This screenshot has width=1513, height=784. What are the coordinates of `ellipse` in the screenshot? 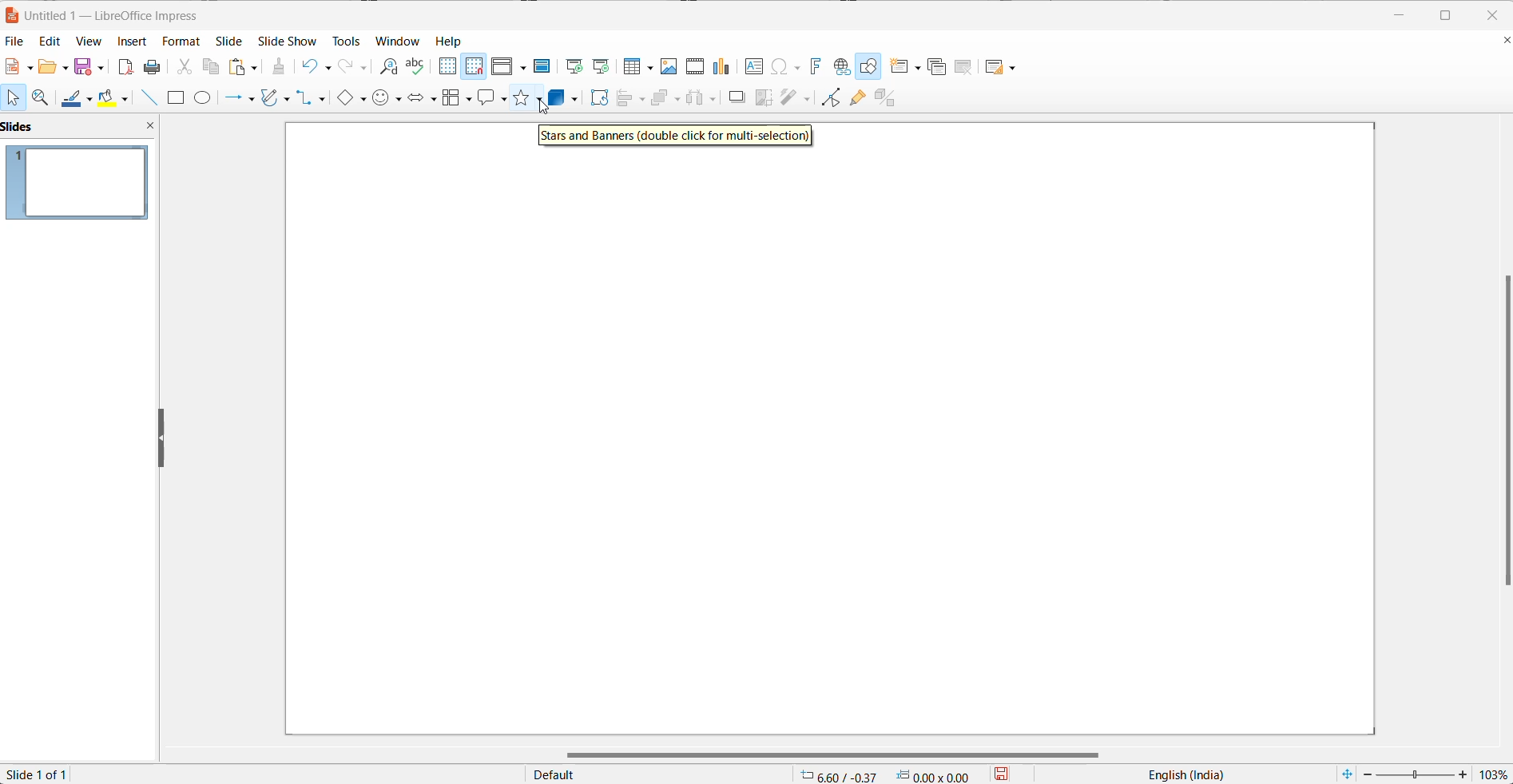 It's located at (206, 97).